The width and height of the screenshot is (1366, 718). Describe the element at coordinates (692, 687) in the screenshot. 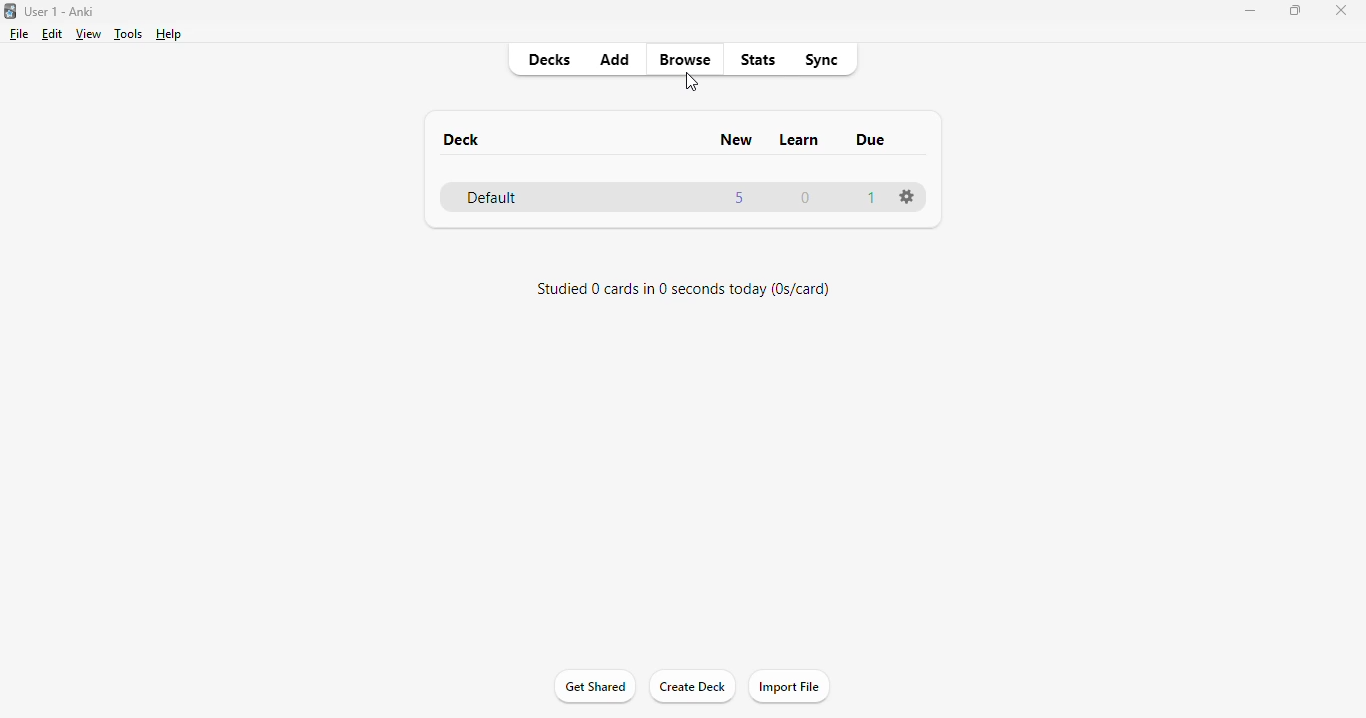

I see `create deck` at that location.